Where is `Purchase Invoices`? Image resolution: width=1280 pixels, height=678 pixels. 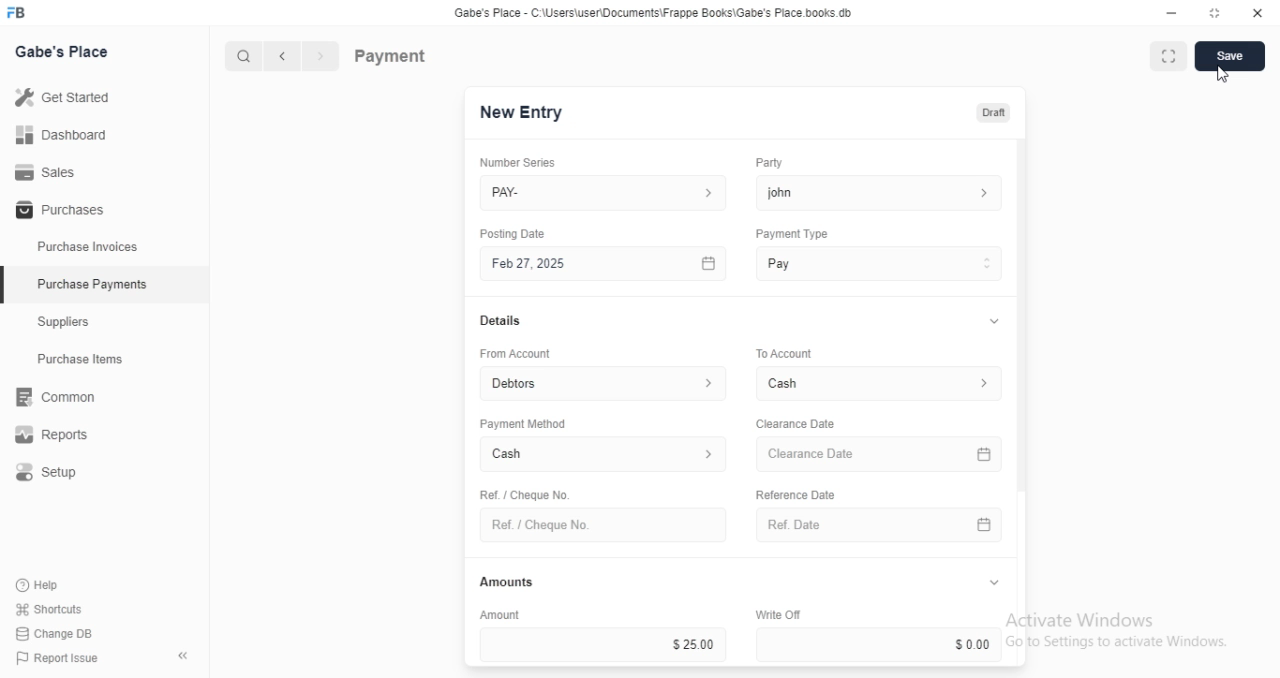 Purchase Invoices is located at coordinates (88, 247).